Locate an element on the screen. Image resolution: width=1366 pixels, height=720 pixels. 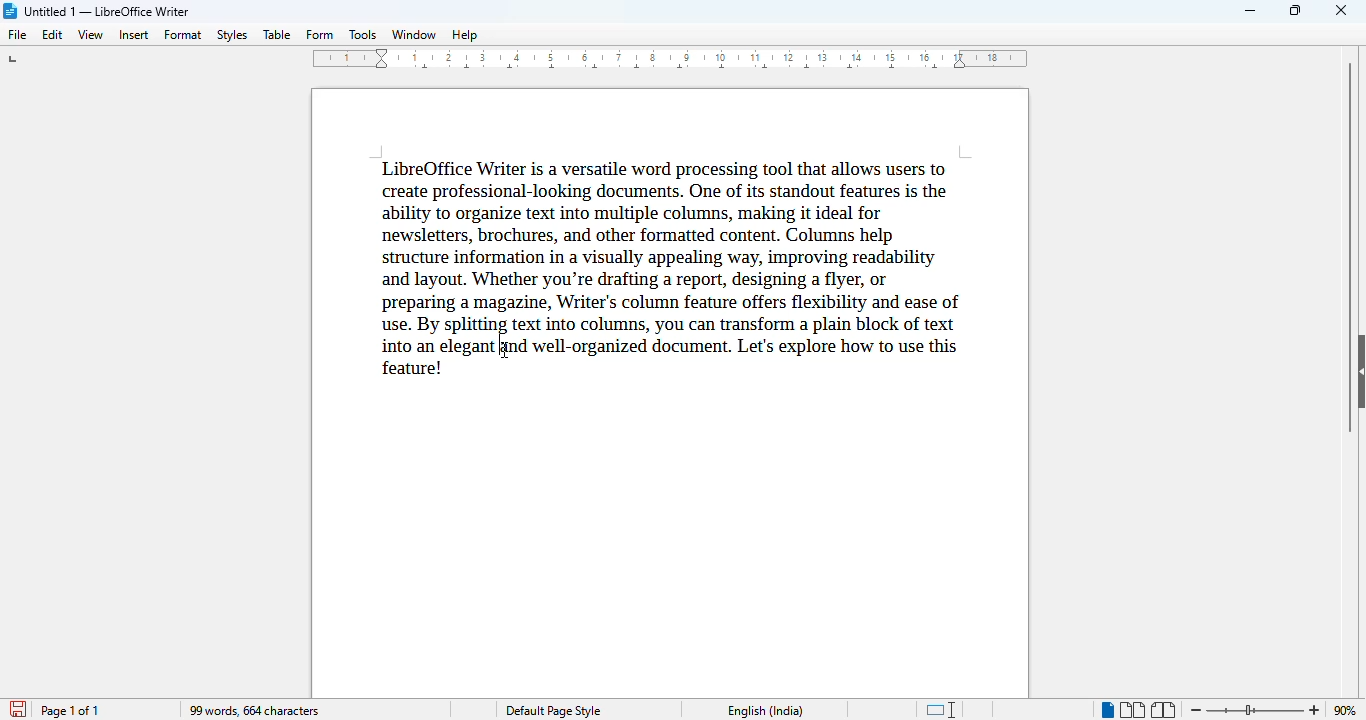
LibreOffice logo is located at coordinates (11, 11).